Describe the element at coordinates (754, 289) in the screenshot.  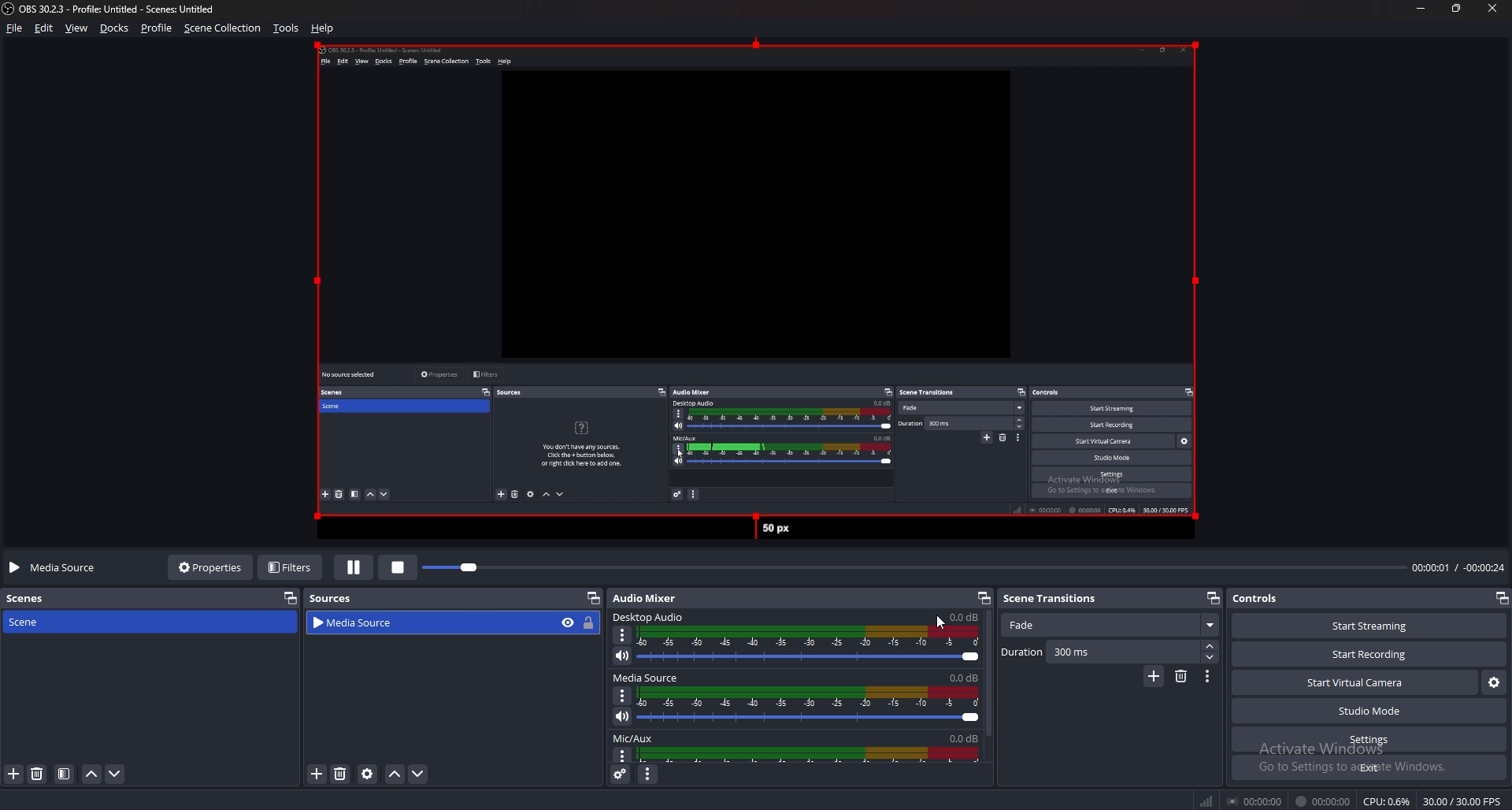
I see `video` at that location.